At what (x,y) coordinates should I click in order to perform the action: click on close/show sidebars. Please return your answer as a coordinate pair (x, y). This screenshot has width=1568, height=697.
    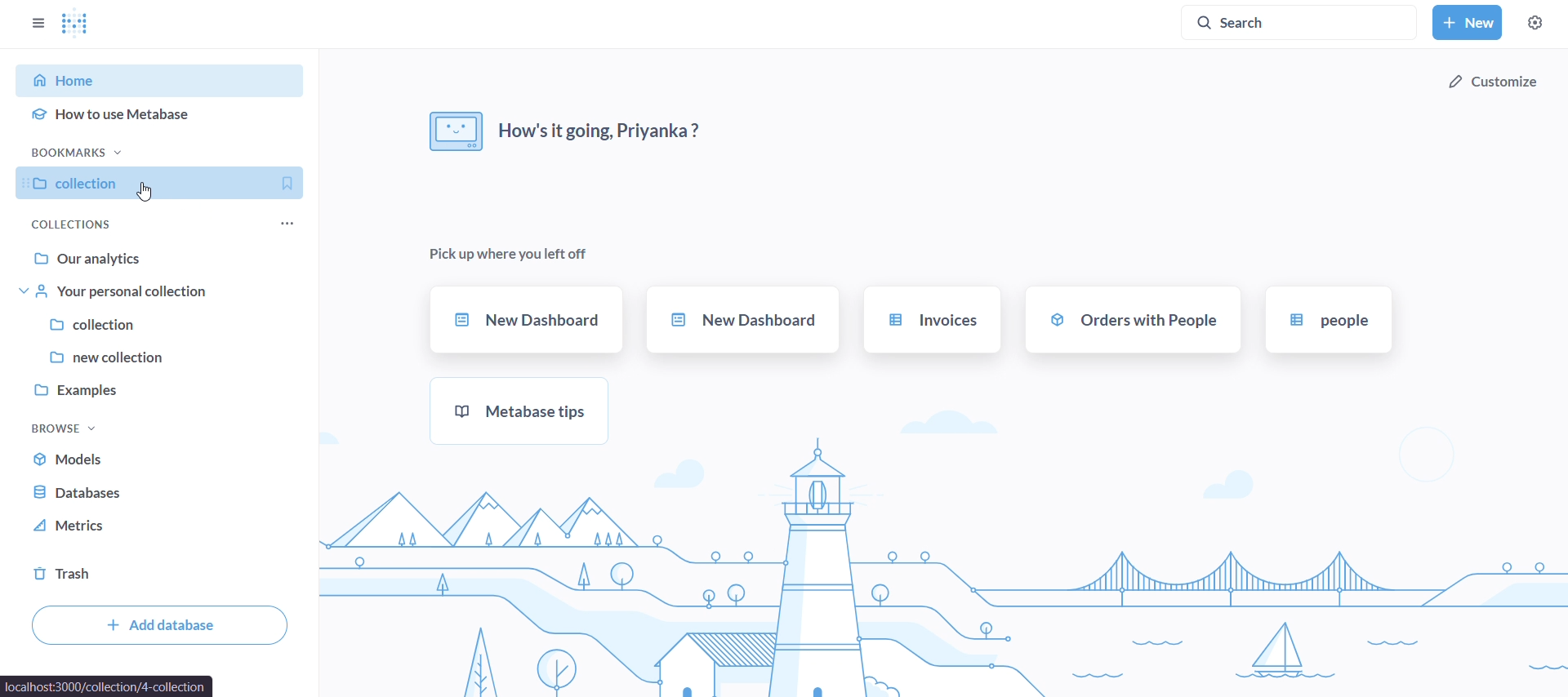
    Looking at the image, I should click on (34, 22).